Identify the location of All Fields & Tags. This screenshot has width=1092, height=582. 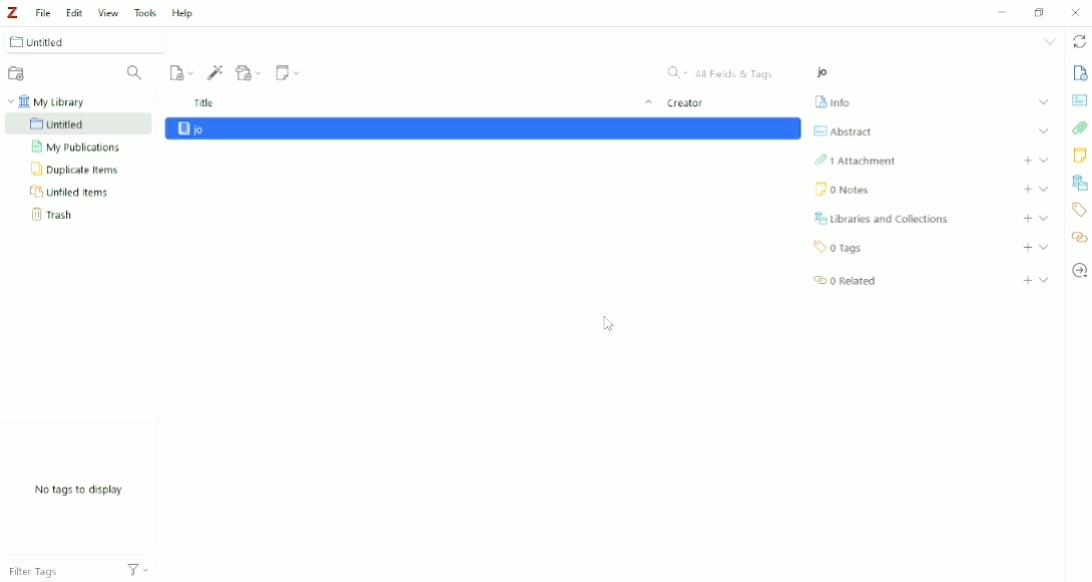
(723, 71).